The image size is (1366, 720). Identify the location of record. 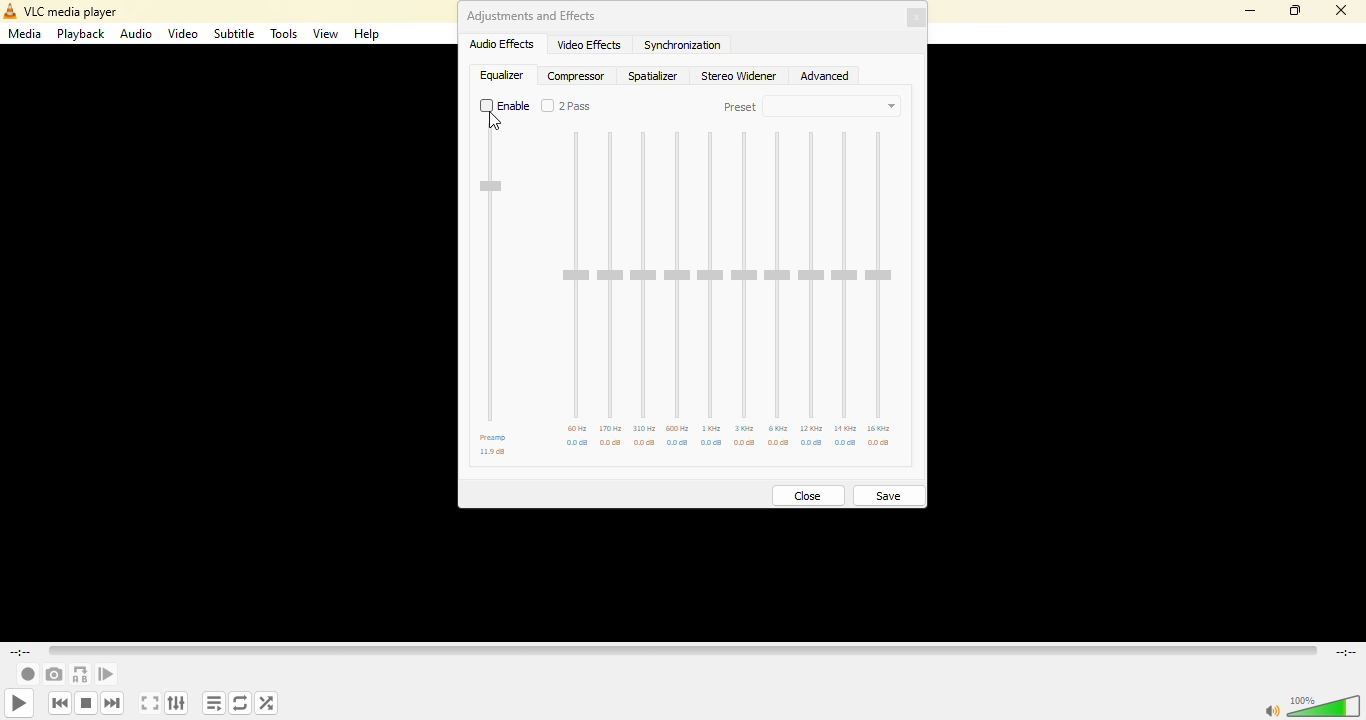
(26, 673).